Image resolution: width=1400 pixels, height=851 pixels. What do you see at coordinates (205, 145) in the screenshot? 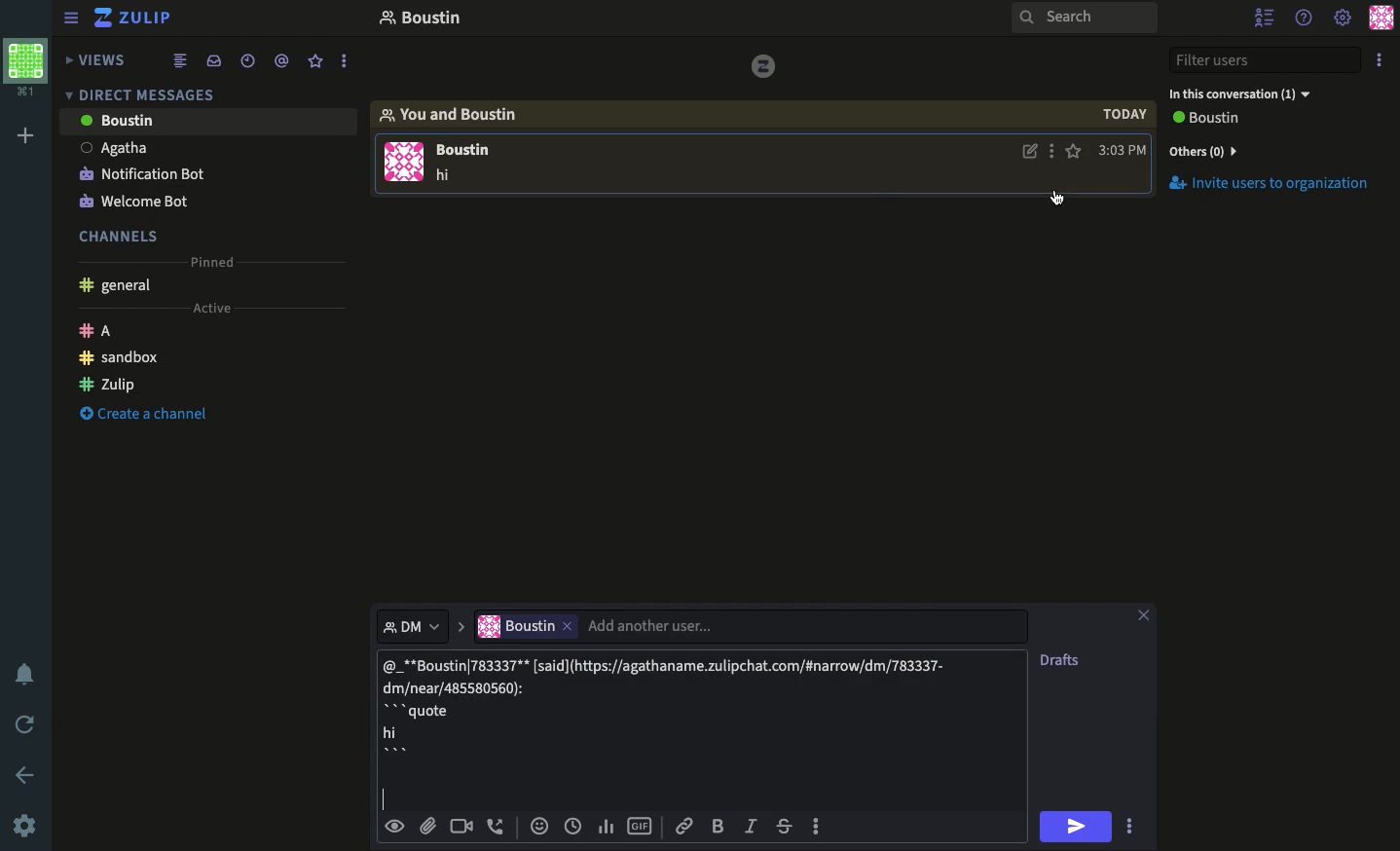
I see `User` at bounding box center [205, 145].